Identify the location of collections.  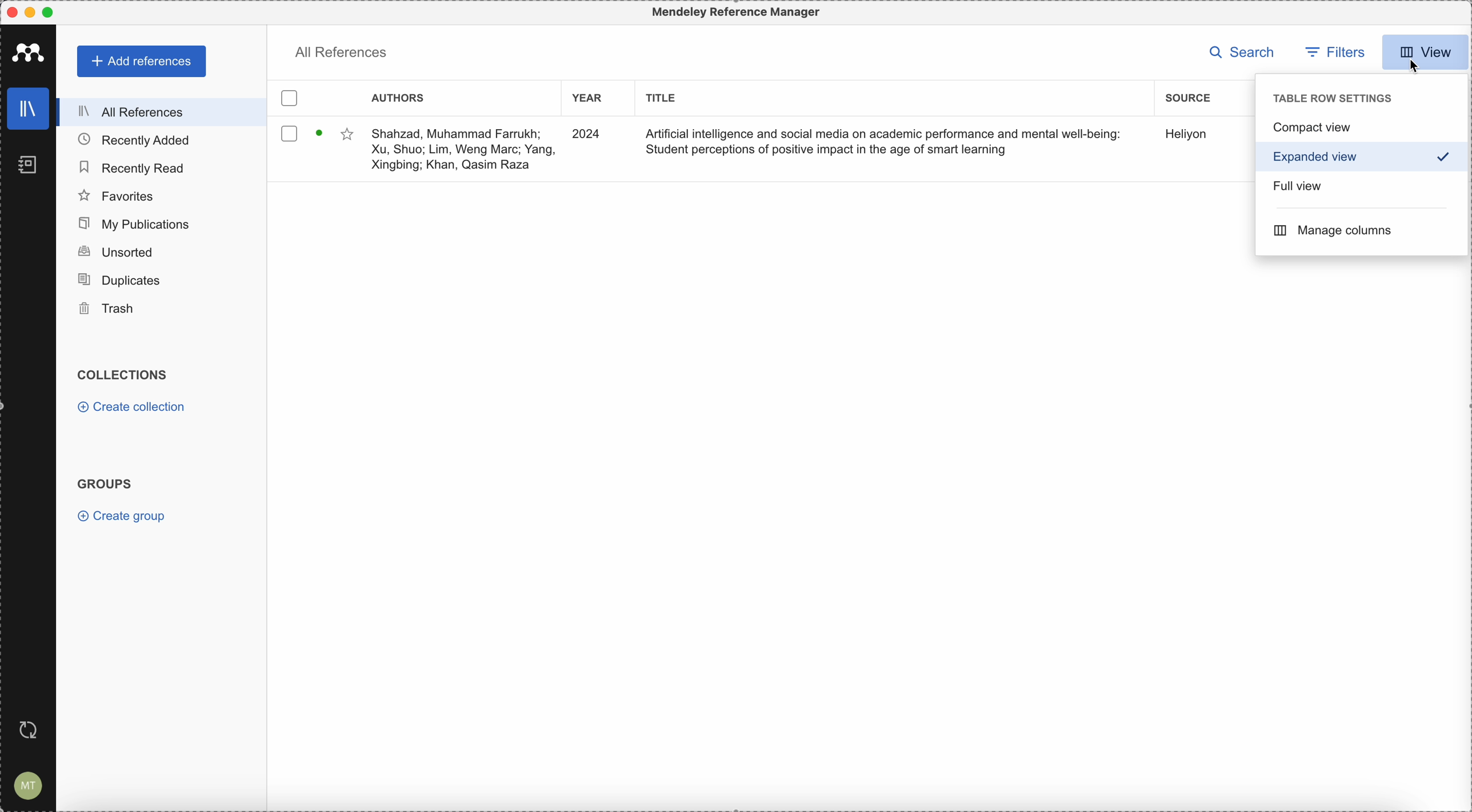
(122, 374).